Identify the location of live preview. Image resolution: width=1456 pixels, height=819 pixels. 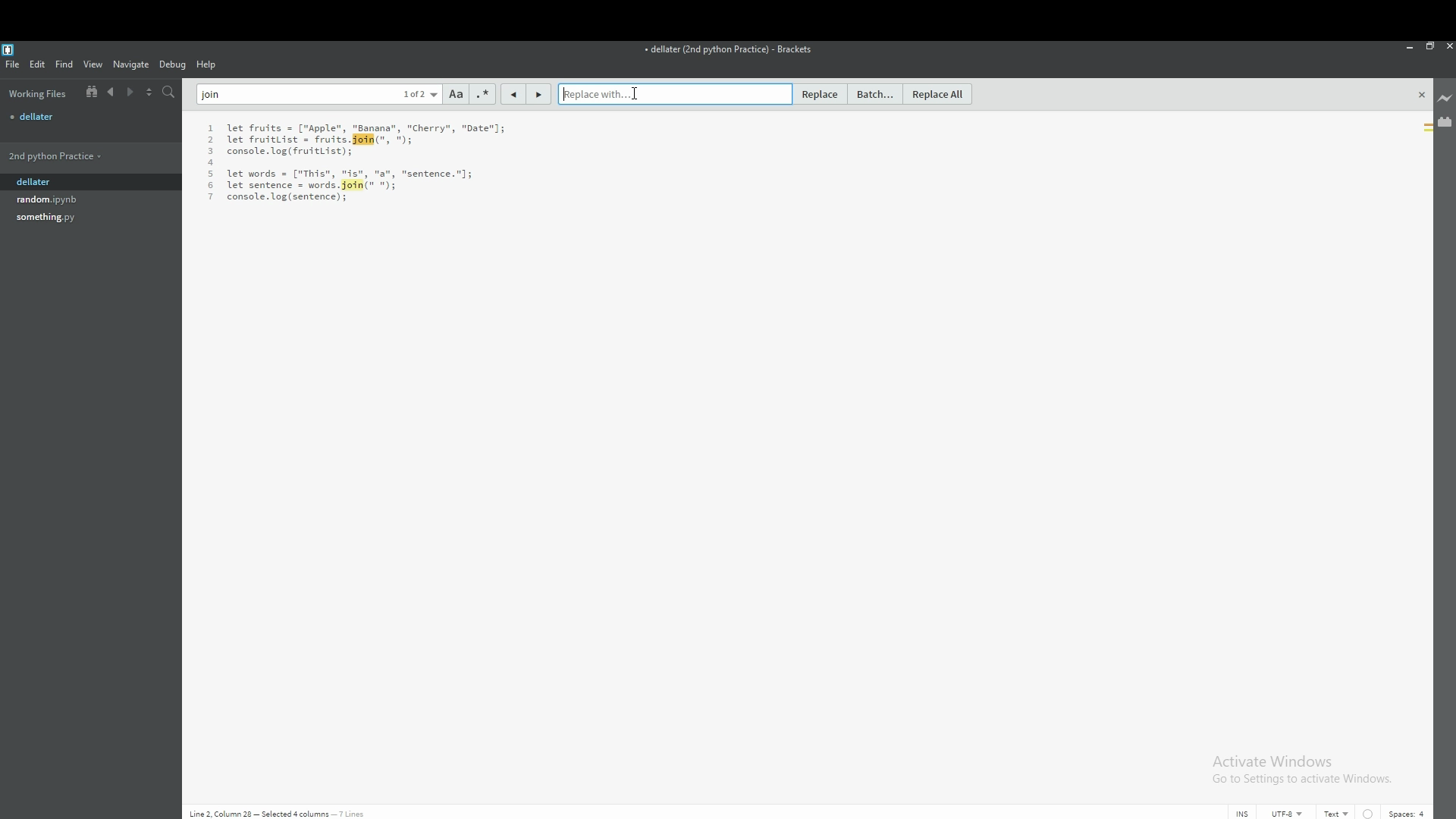
(1444, 99).